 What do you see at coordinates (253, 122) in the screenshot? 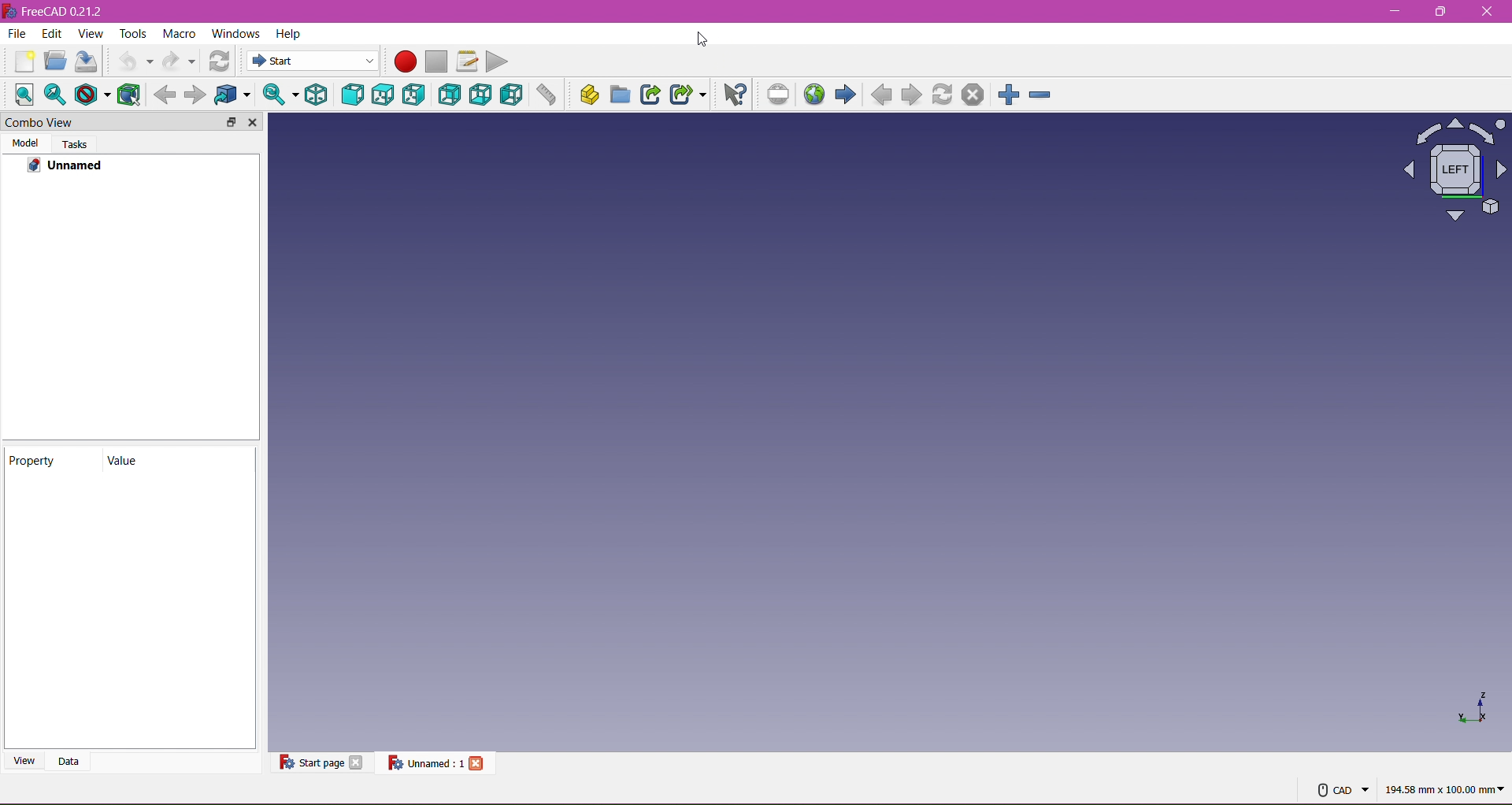
I see `Close` at bounding box center [253, 122].